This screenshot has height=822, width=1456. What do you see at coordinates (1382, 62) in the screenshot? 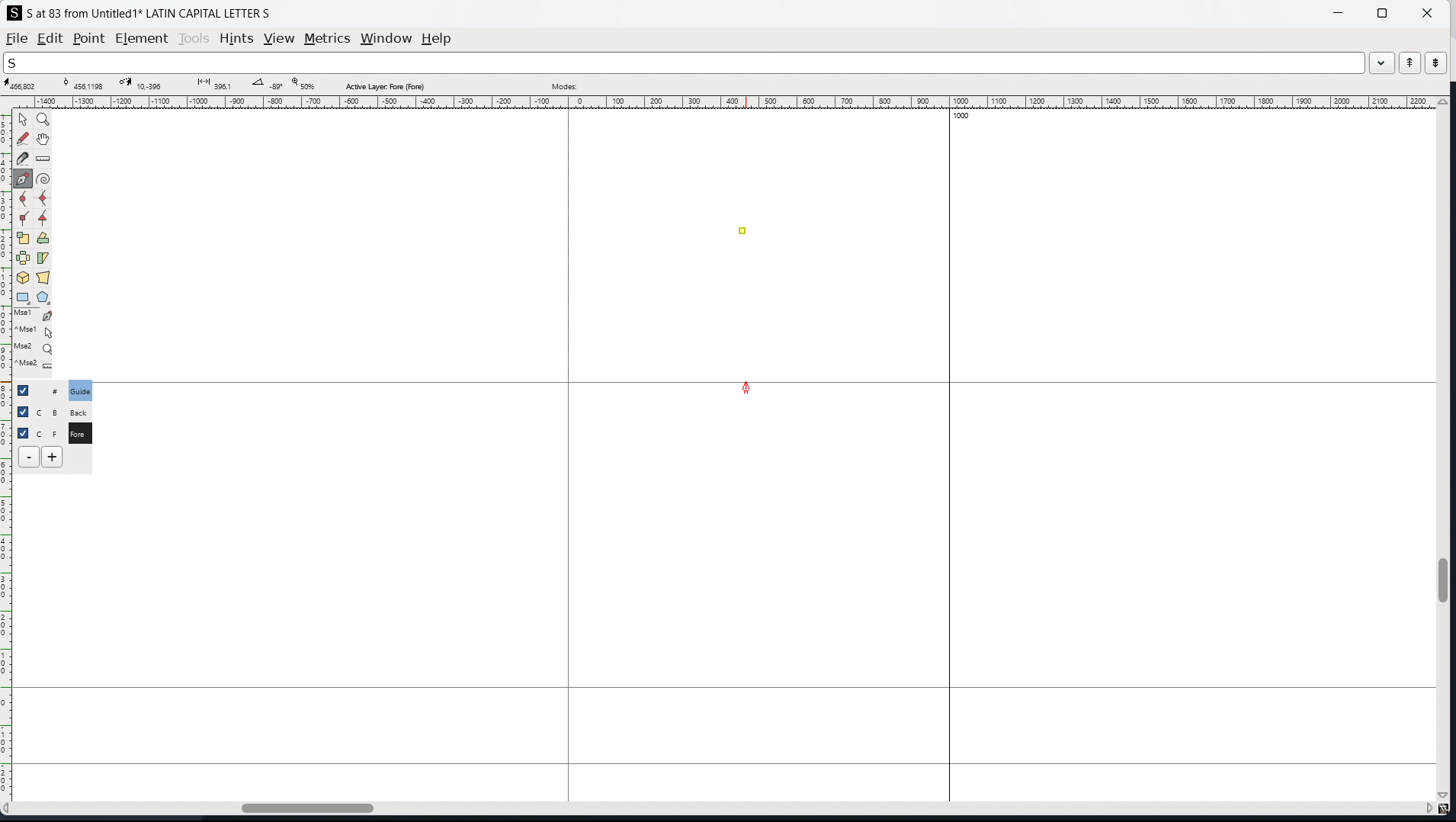
I see `dropdown` at bounding box center [1382, 62].